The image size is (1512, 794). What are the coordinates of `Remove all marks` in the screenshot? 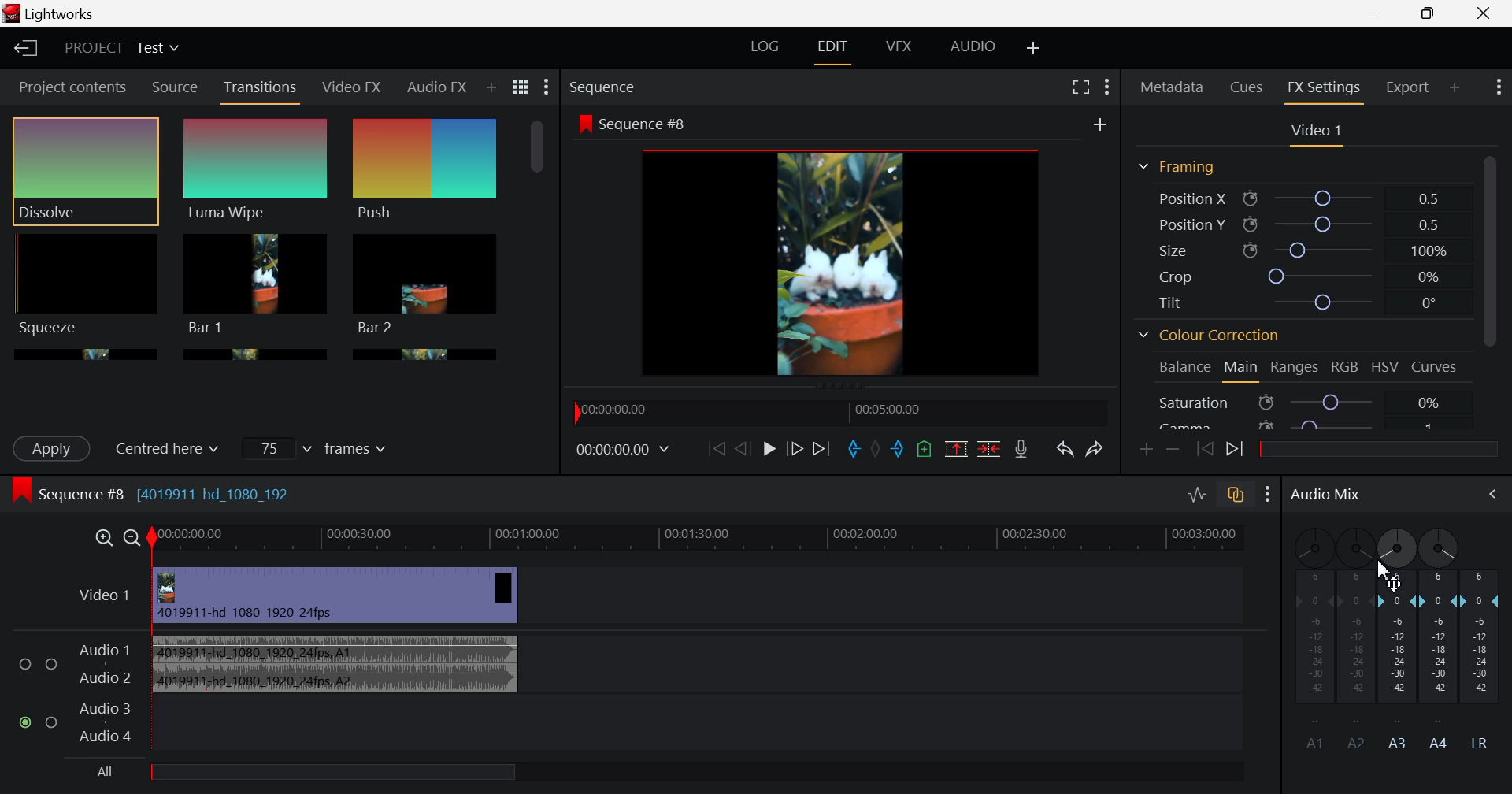 It's located at (875, 449).